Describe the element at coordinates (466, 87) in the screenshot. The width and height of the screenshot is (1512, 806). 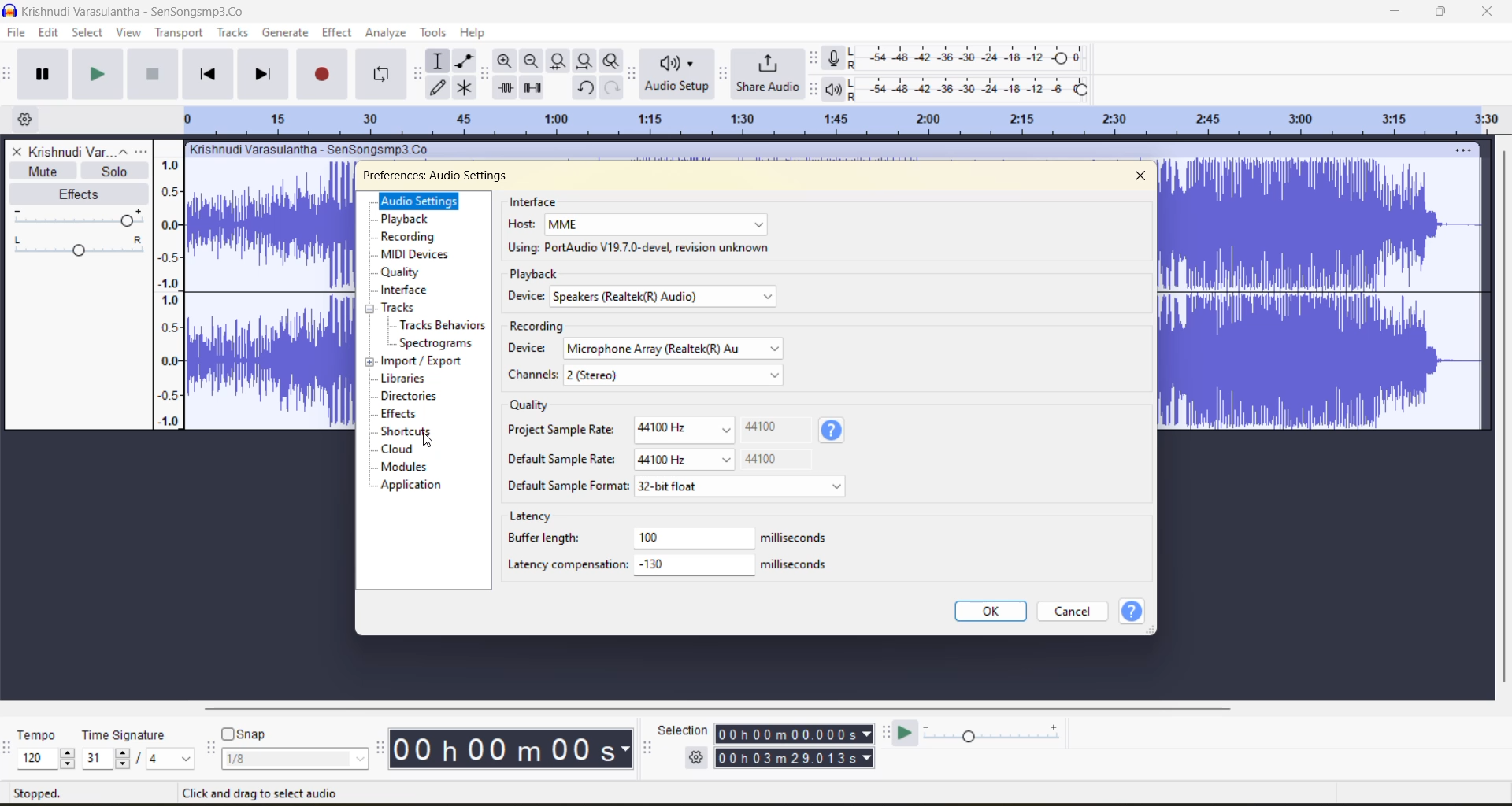
I see `multi tool` at that location.